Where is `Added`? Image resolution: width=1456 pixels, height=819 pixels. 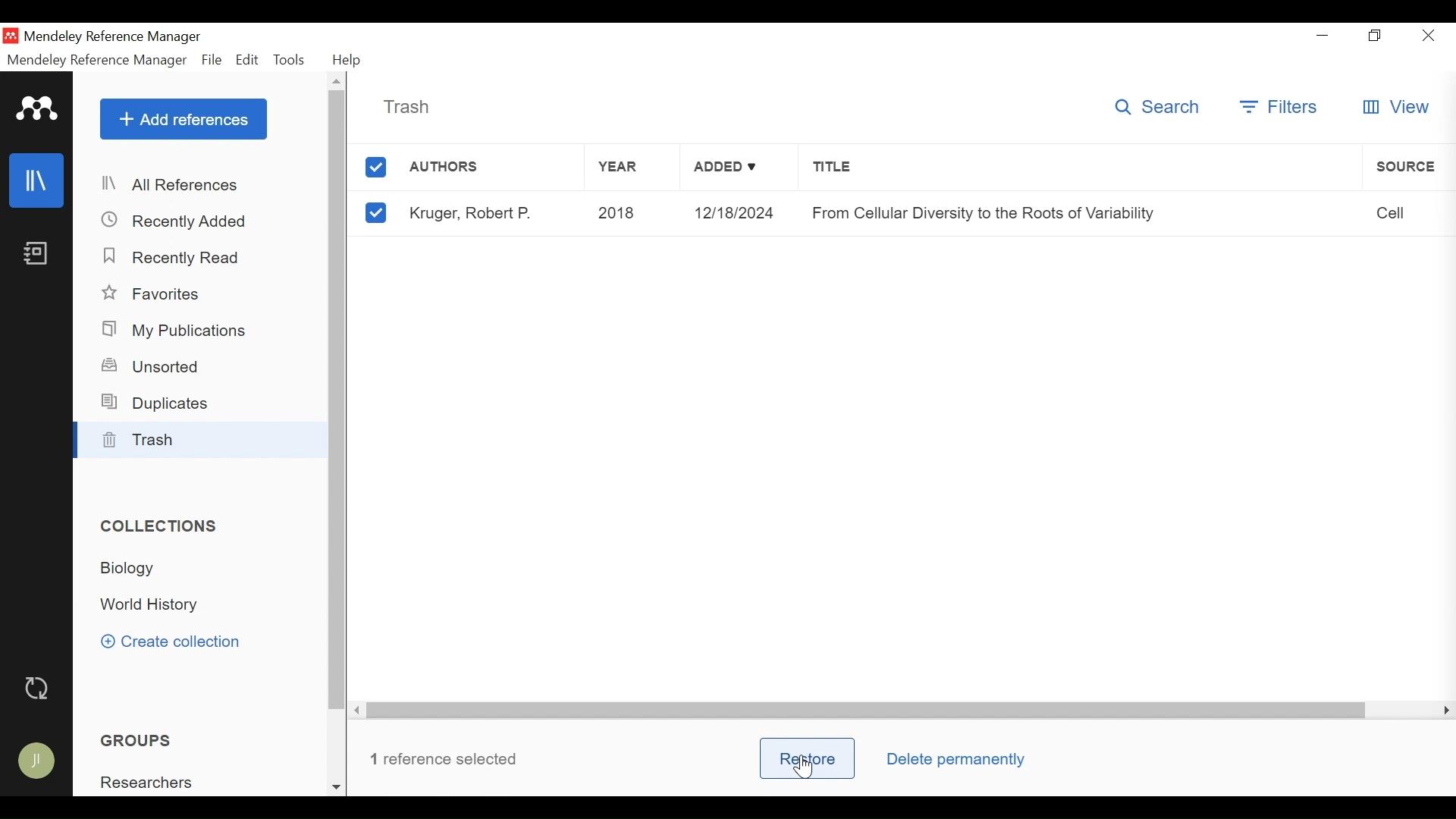
Added is located at coordinates (738, 170).